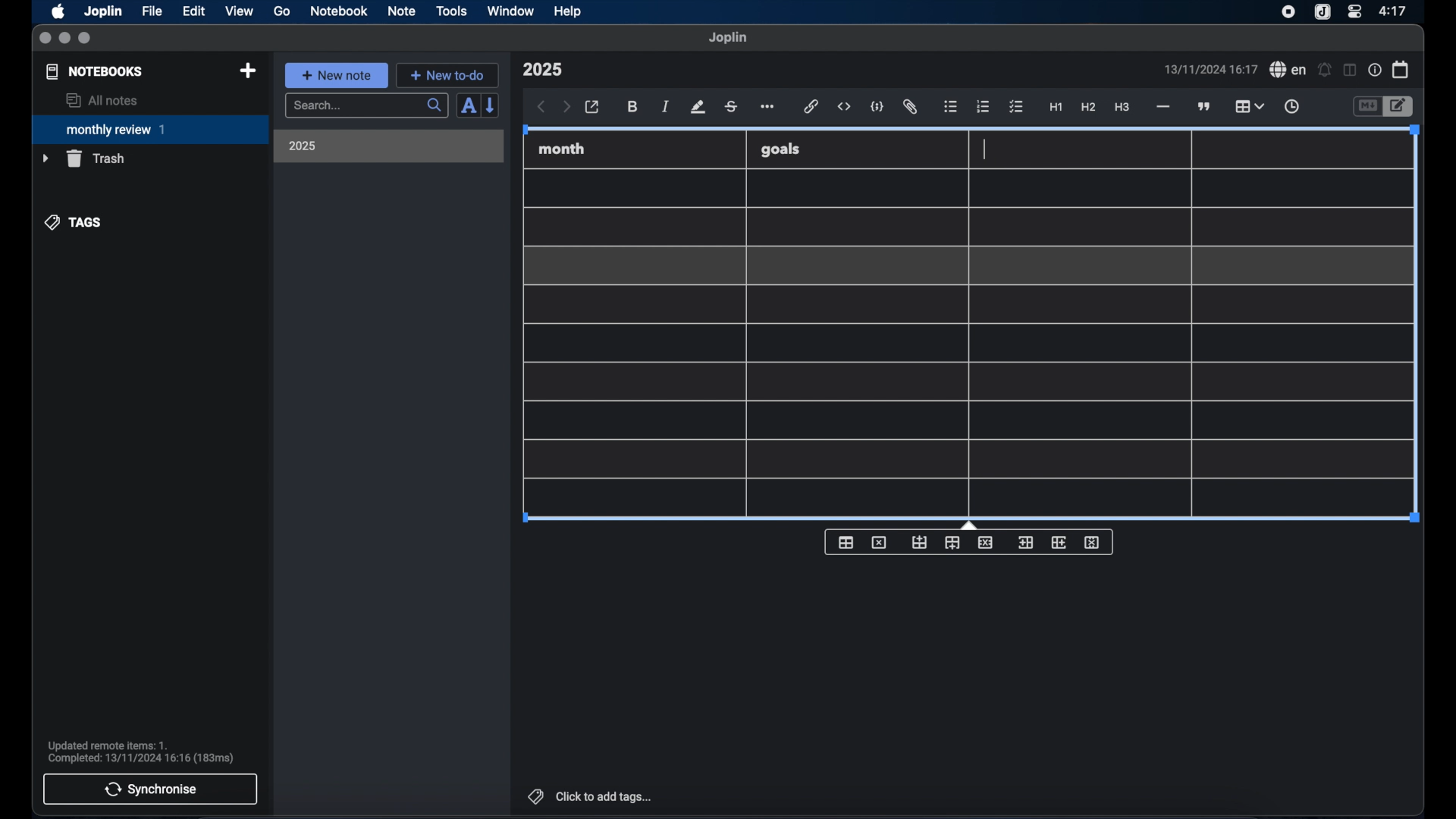 Image resolution: width=1456 pixels, height=819 pixels. Describe the element at coordinates (566, 108) in the screenshot. I see `forward` at that location.